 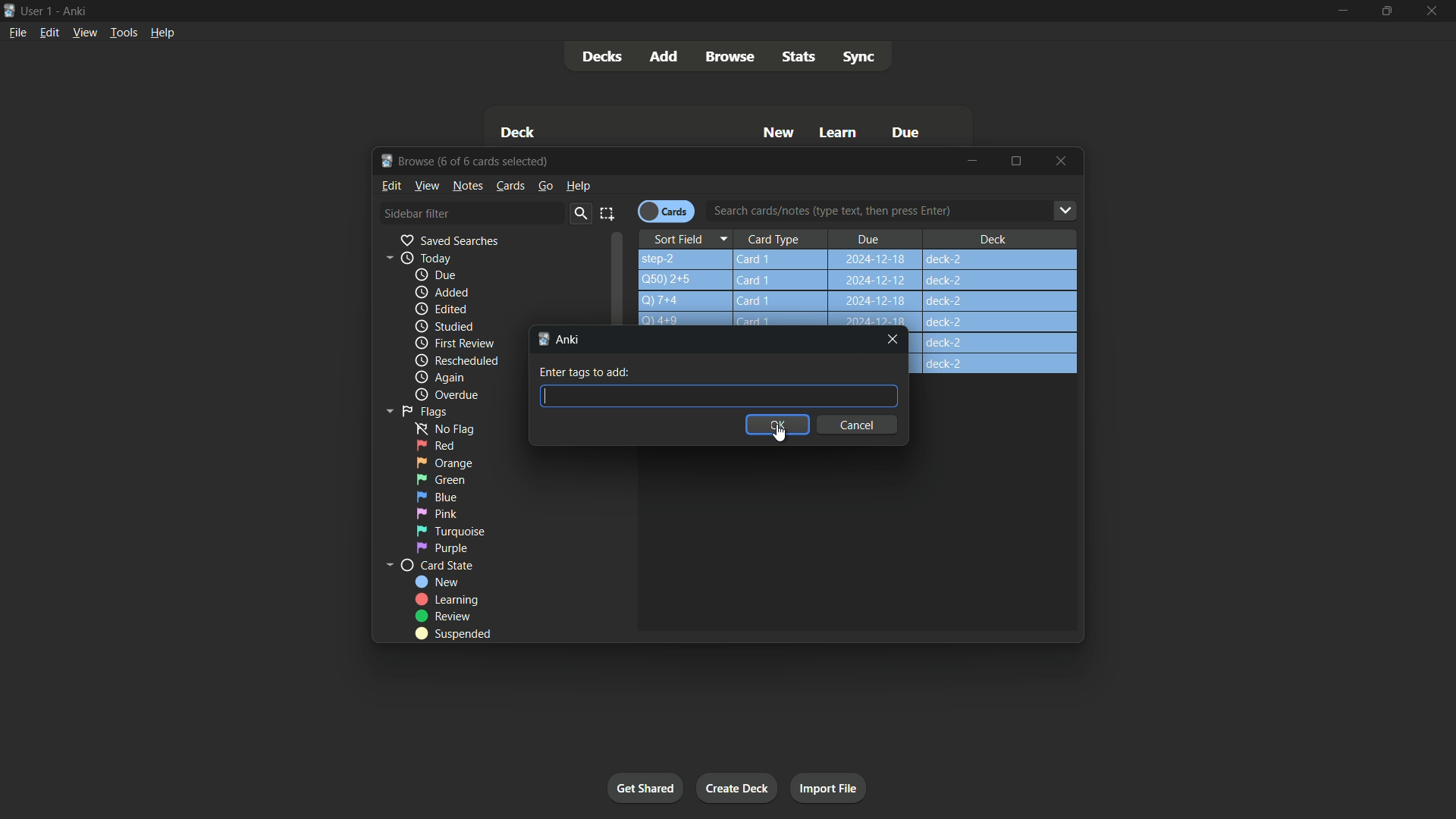 What do you see at coordinates (454, 343) in the screenshot?
I see `First review` at bounding box center [454, 343].